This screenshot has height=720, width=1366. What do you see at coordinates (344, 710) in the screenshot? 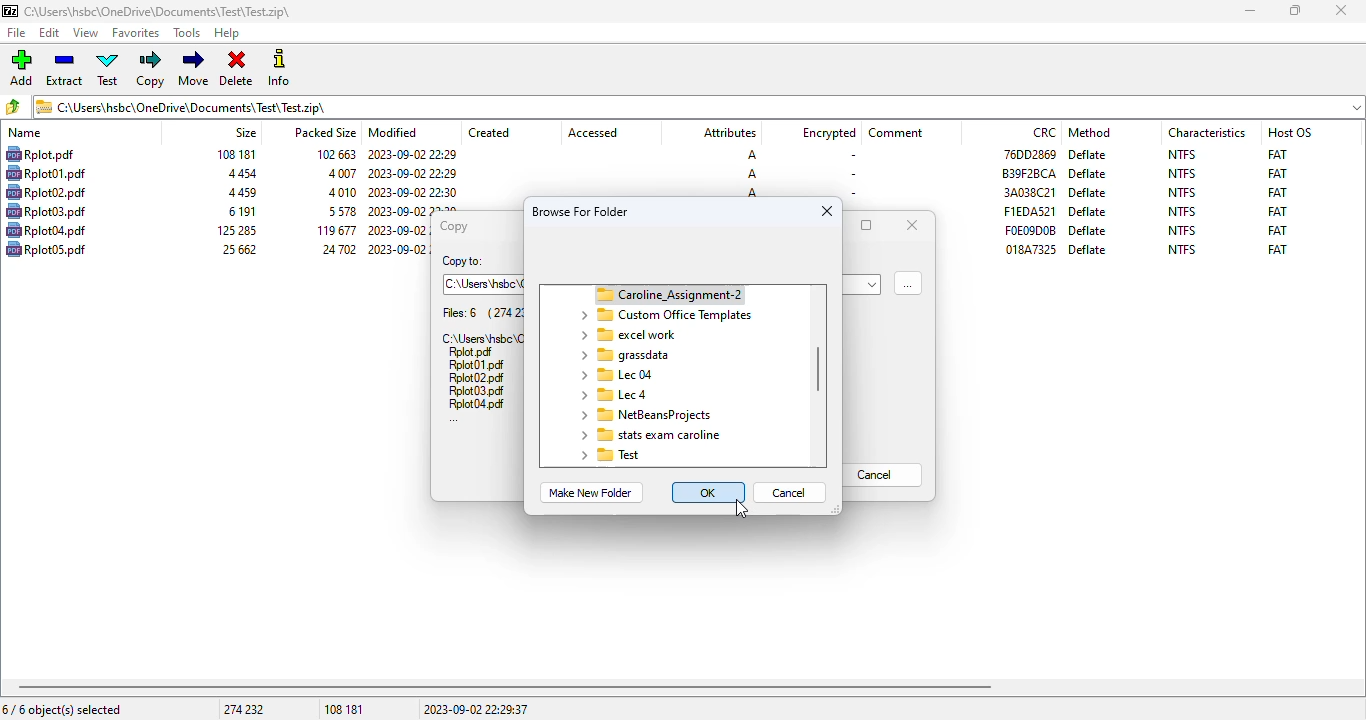
I see `108 181` at bounding box center [344, 710].